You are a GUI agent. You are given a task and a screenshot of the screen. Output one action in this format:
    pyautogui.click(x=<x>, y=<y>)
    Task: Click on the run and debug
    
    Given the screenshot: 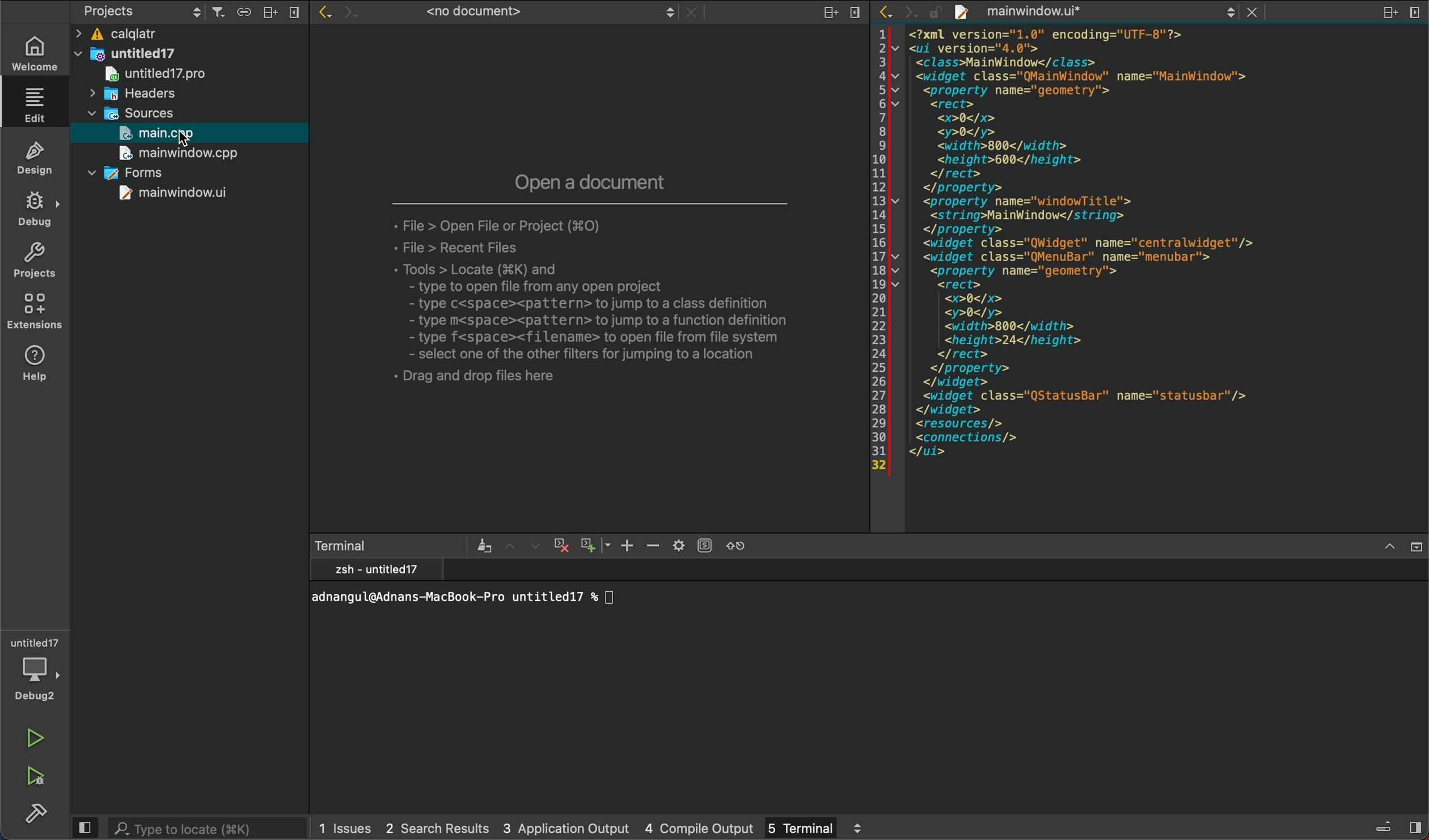 What is the action you would take?
    pyautogui.click(x=40, y=773)
    